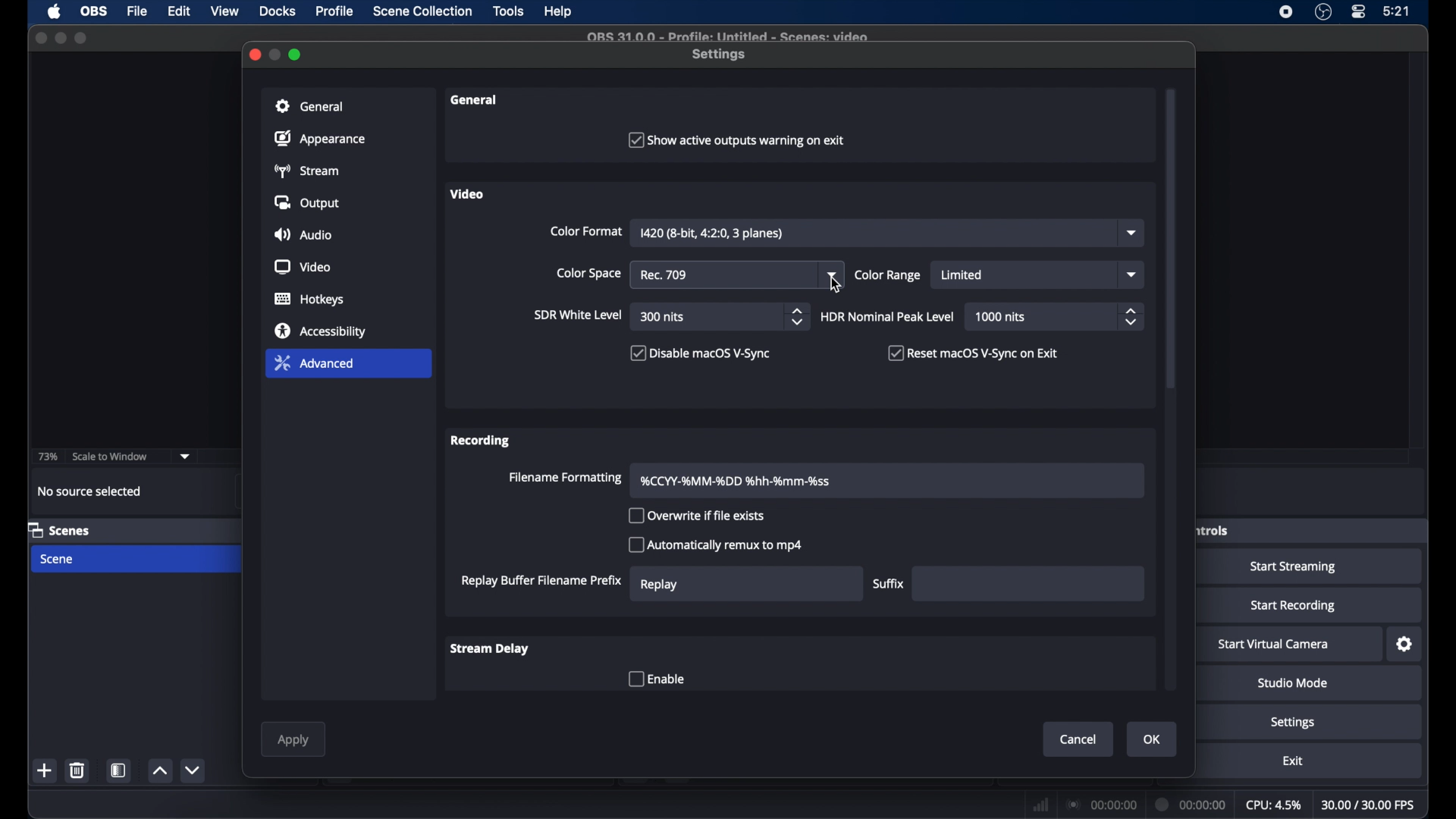 This screenshot has width=1456, height=819. Describe the element at coordinates (276, 55) in the screenshot. I see `minimize` at that location.